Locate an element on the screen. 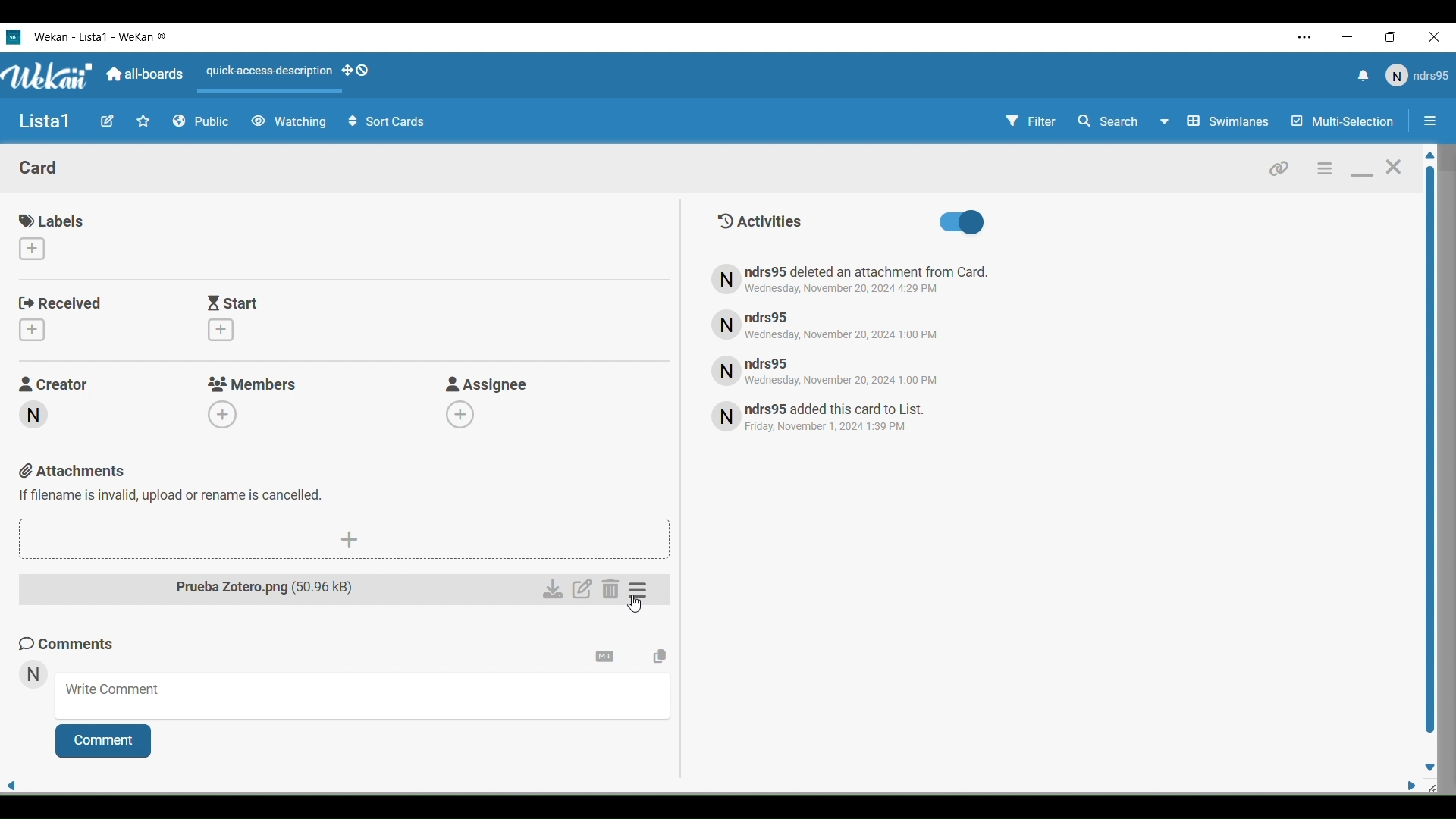 The height and width of the screenshot is (819, 1456). Search is located at coordinates (1122, 121).